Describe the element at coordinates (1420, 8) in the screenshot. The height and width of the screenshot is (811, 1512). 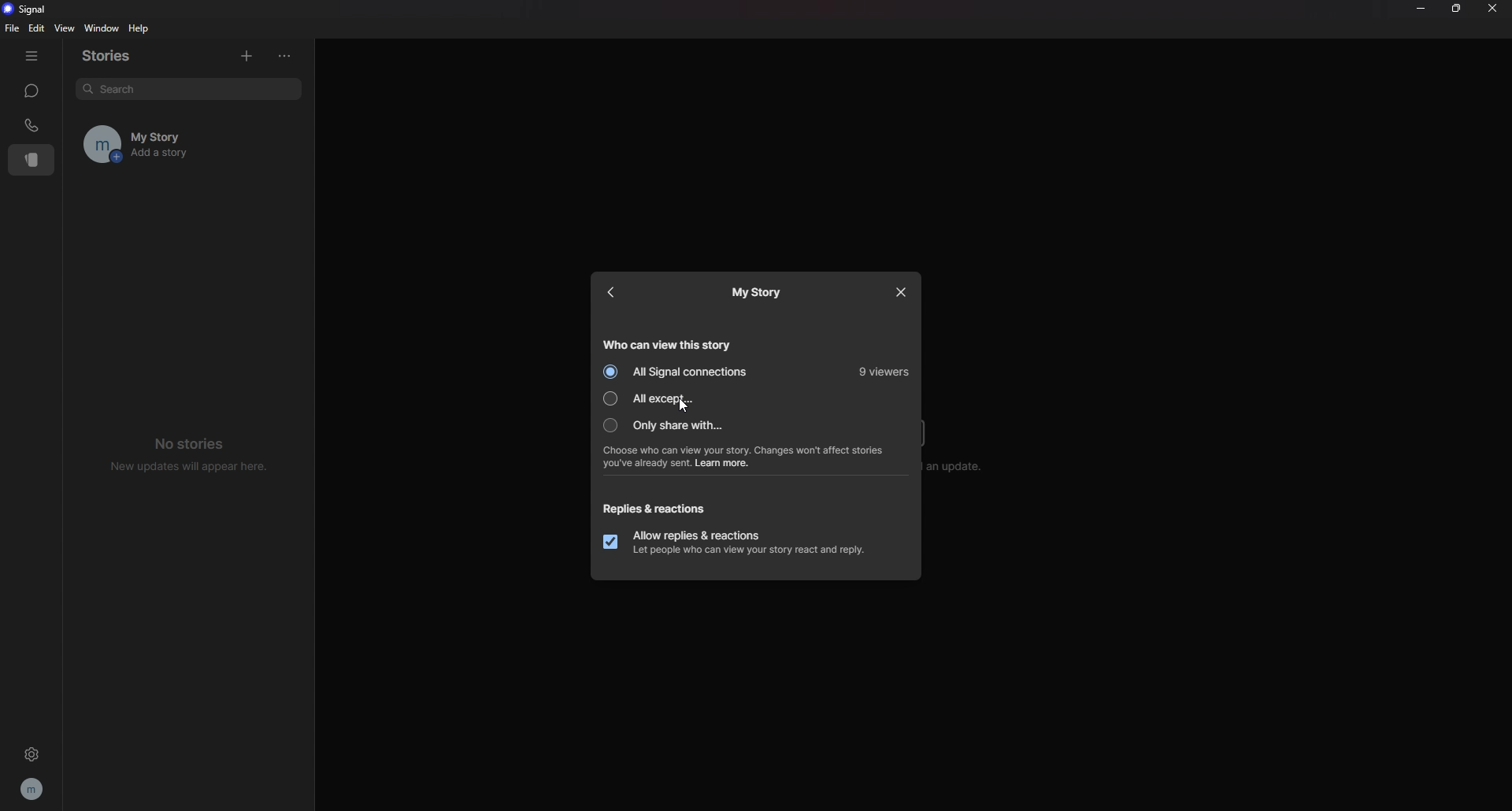
I see `minimize` at that location.